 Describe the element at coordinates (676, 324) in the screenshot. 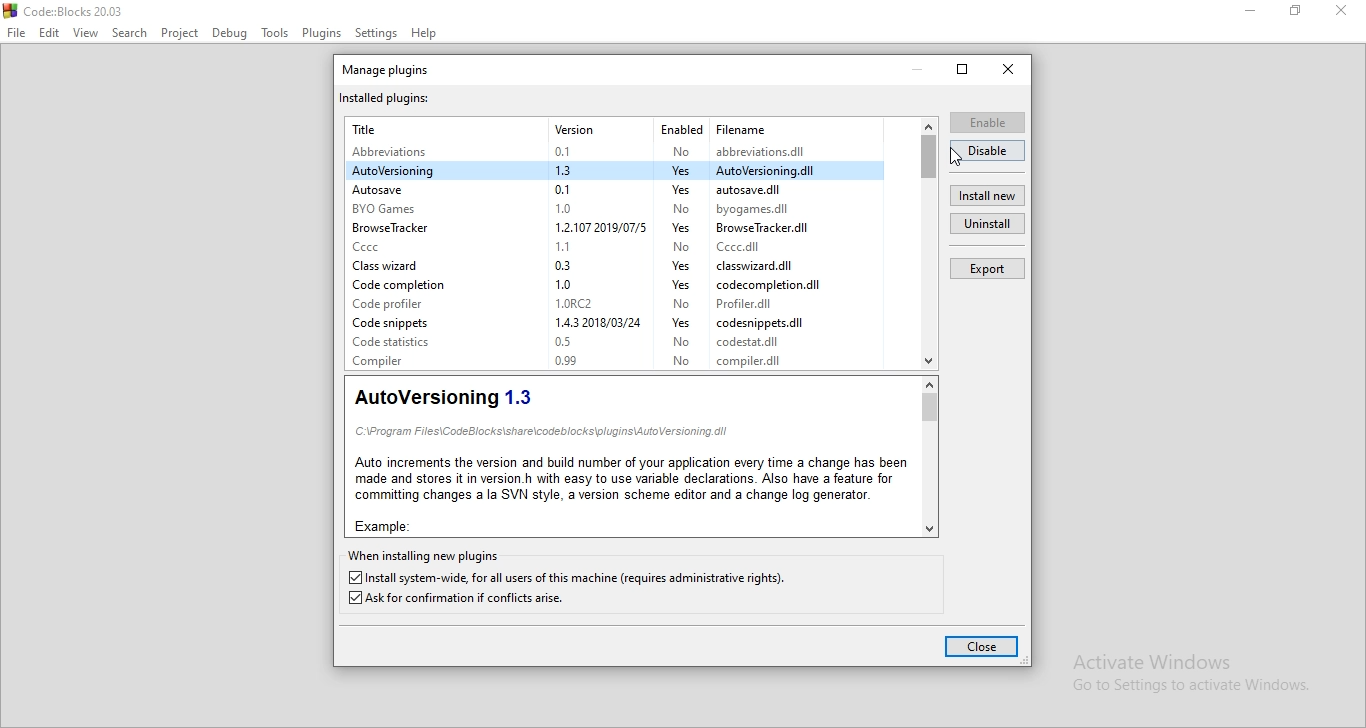

I see `yes` at that location.